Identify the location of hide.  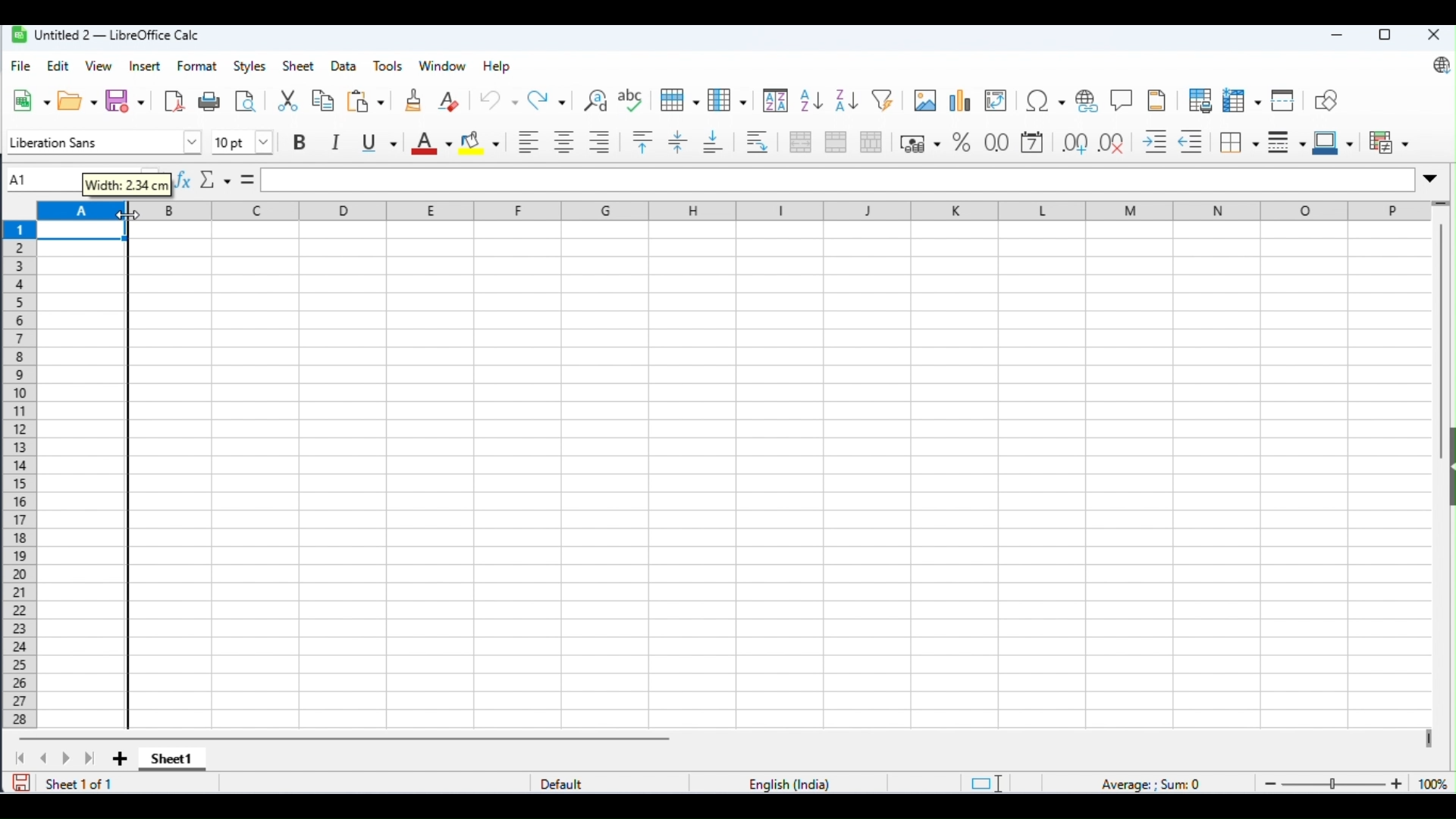
(1447, 469).